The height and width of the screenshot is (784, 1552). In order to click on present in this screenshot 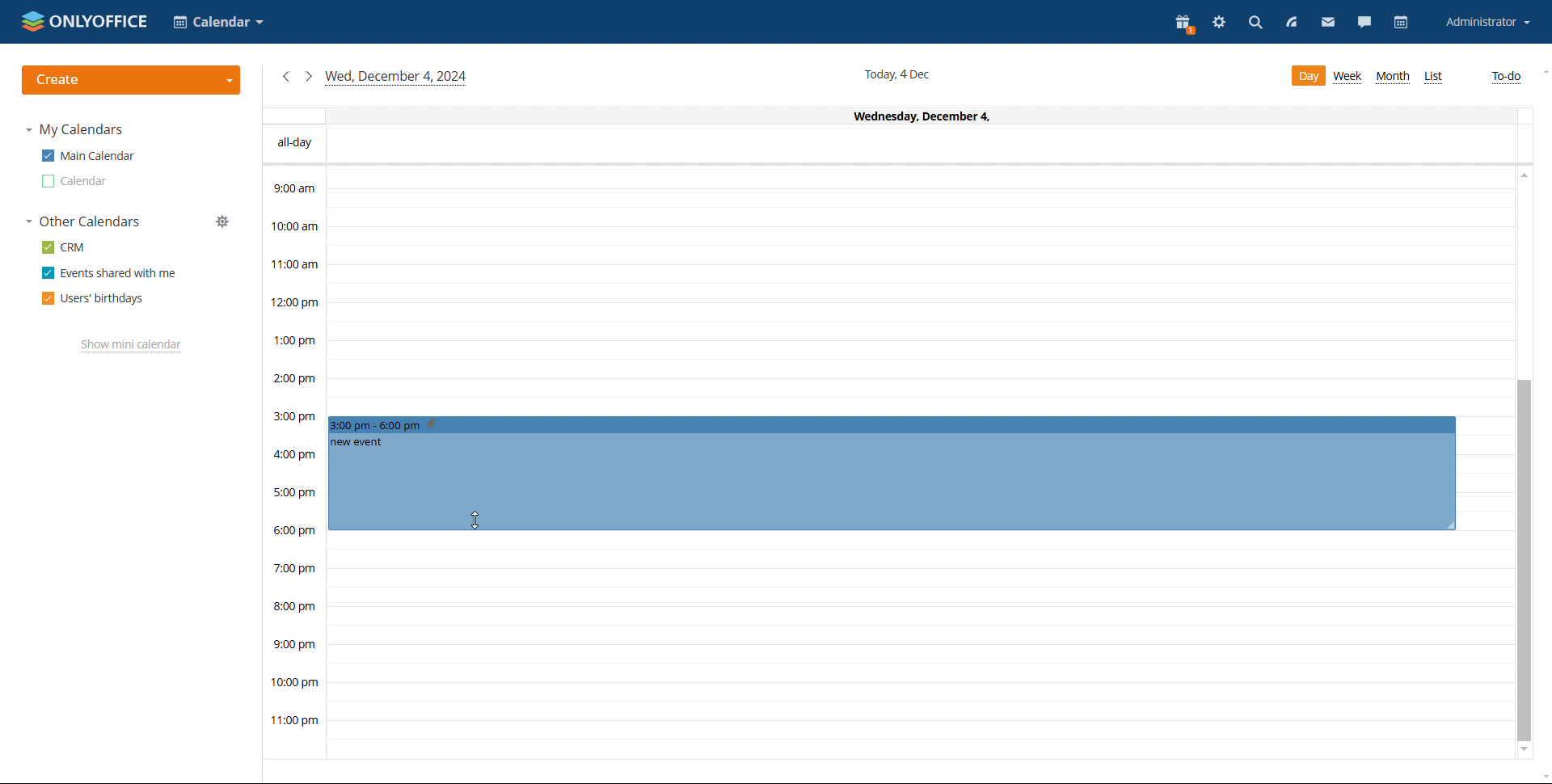, I will do `click(1183, 23)`.